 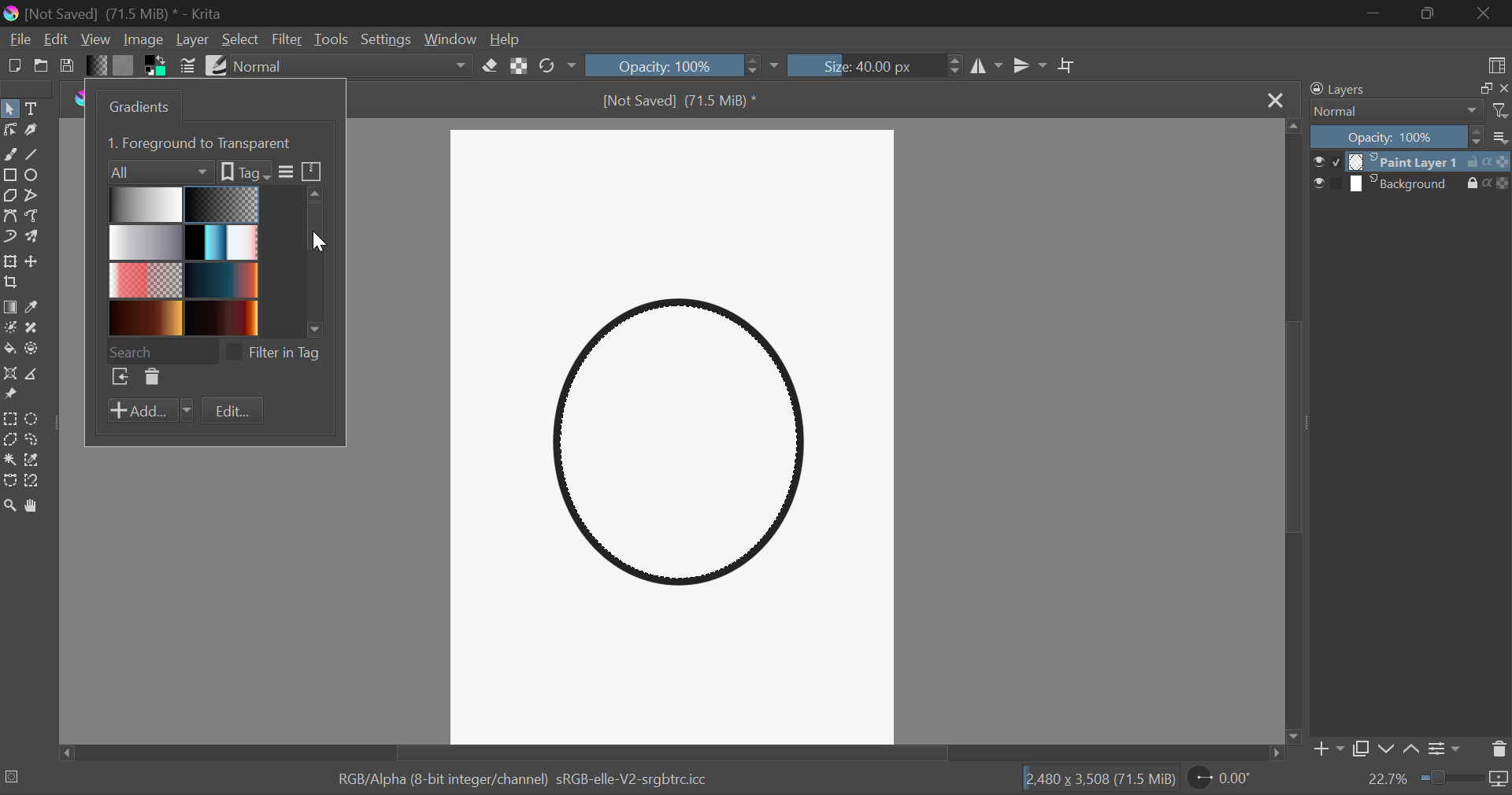 I want to click on Rectangle Selection, so click(x=13, y=417).